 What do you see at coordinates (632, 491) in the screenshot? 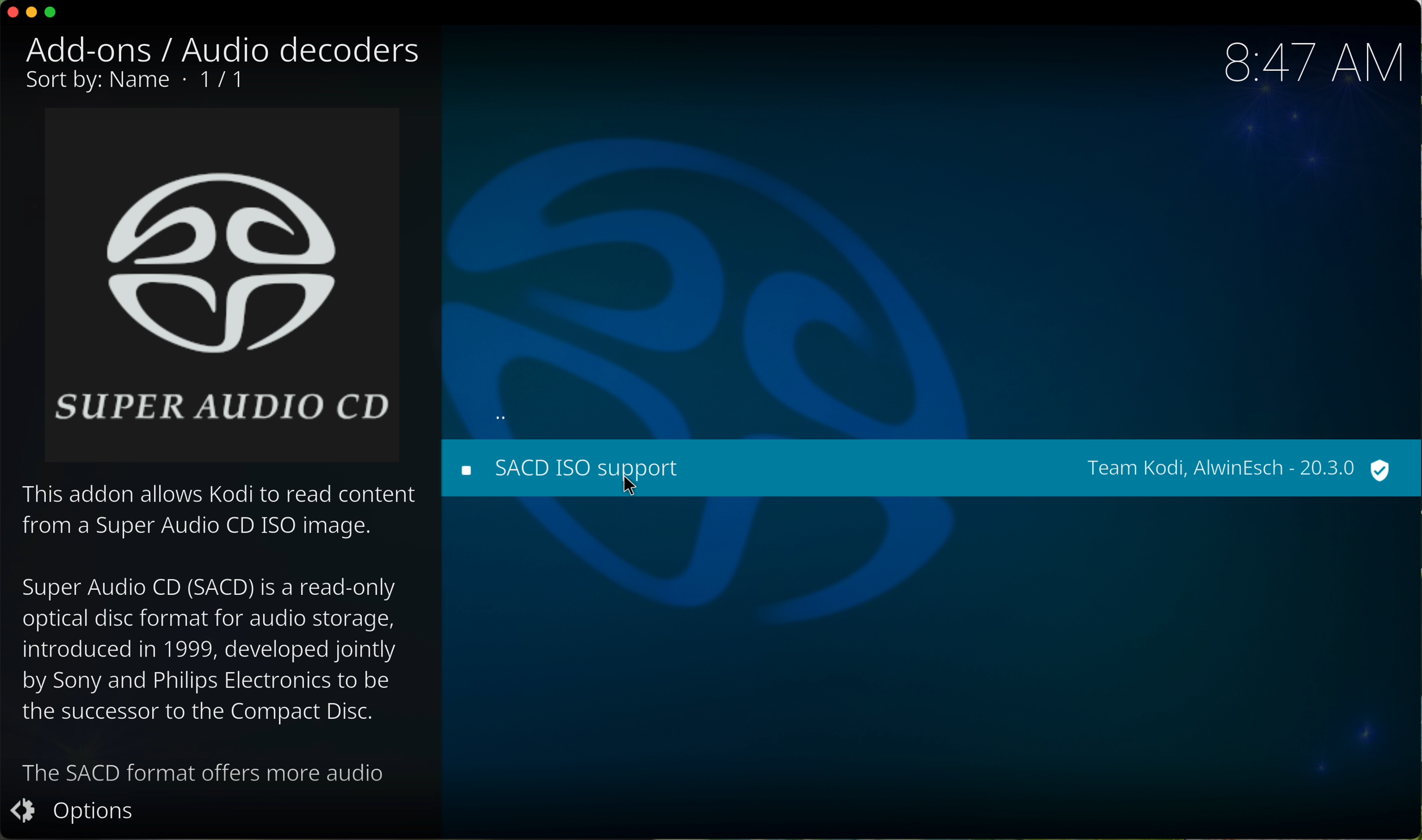
I see `cursor` at bounding box center [632, 491].